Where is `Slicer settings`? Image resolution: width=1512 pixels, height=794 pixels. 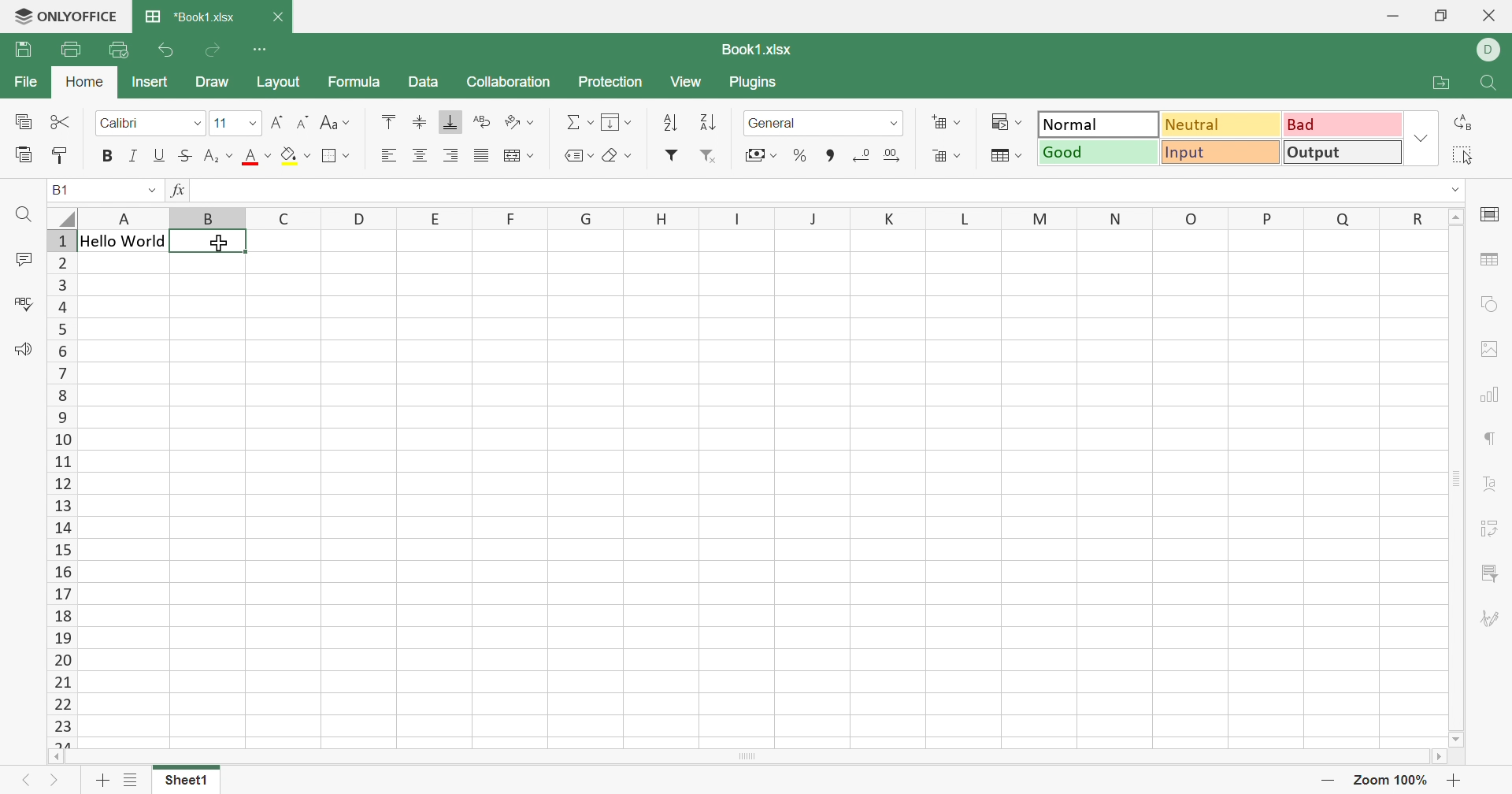 Slicer settings is located at coordinates (1492, 573).